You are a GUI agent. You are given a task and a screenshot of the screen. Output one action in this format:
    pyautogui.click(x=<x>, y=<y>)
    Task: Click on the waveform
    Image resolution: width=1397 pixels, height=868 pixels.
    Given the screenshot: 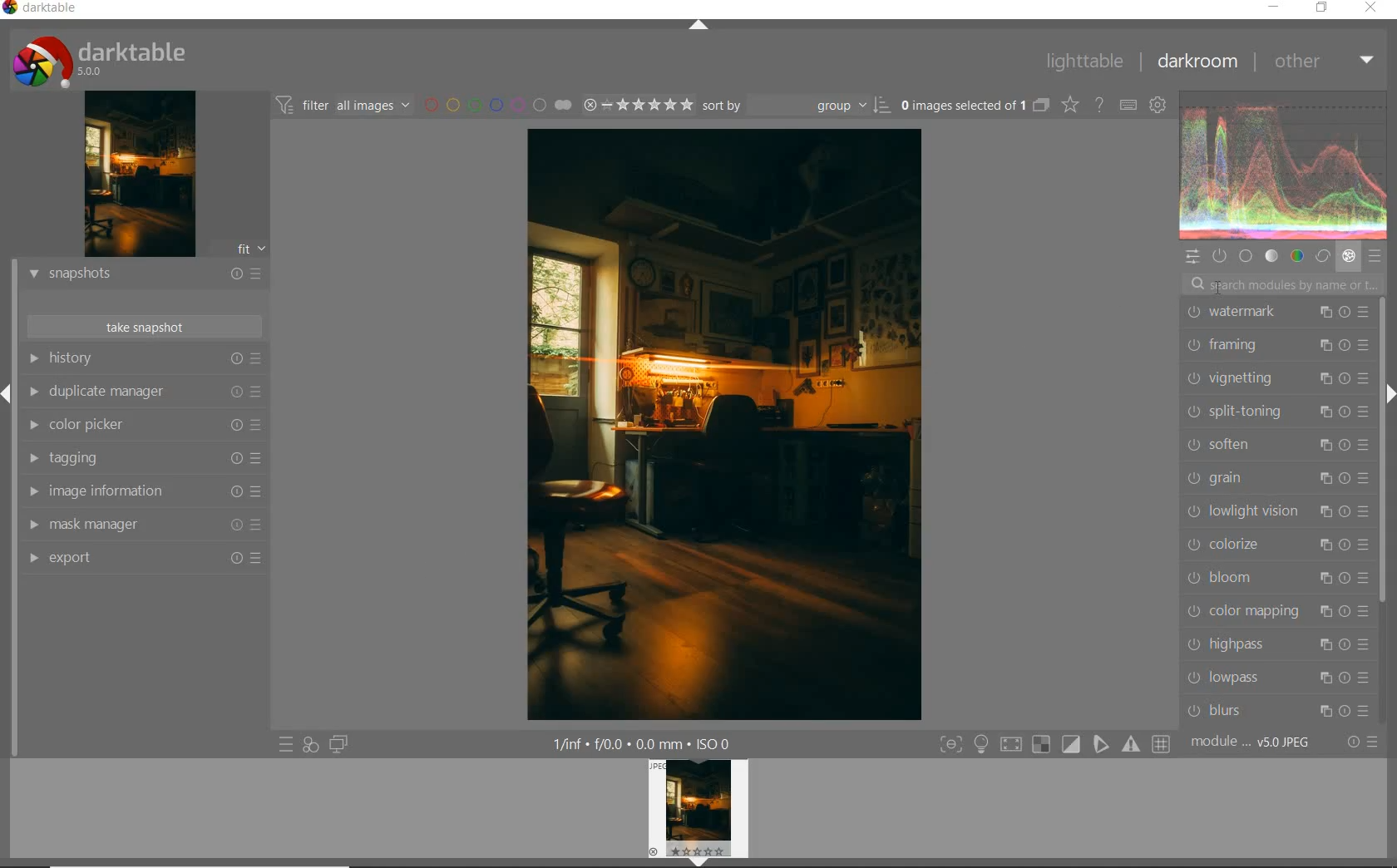 What is the action you would take?
    pyautogui.click(x=1284, y=165)
    